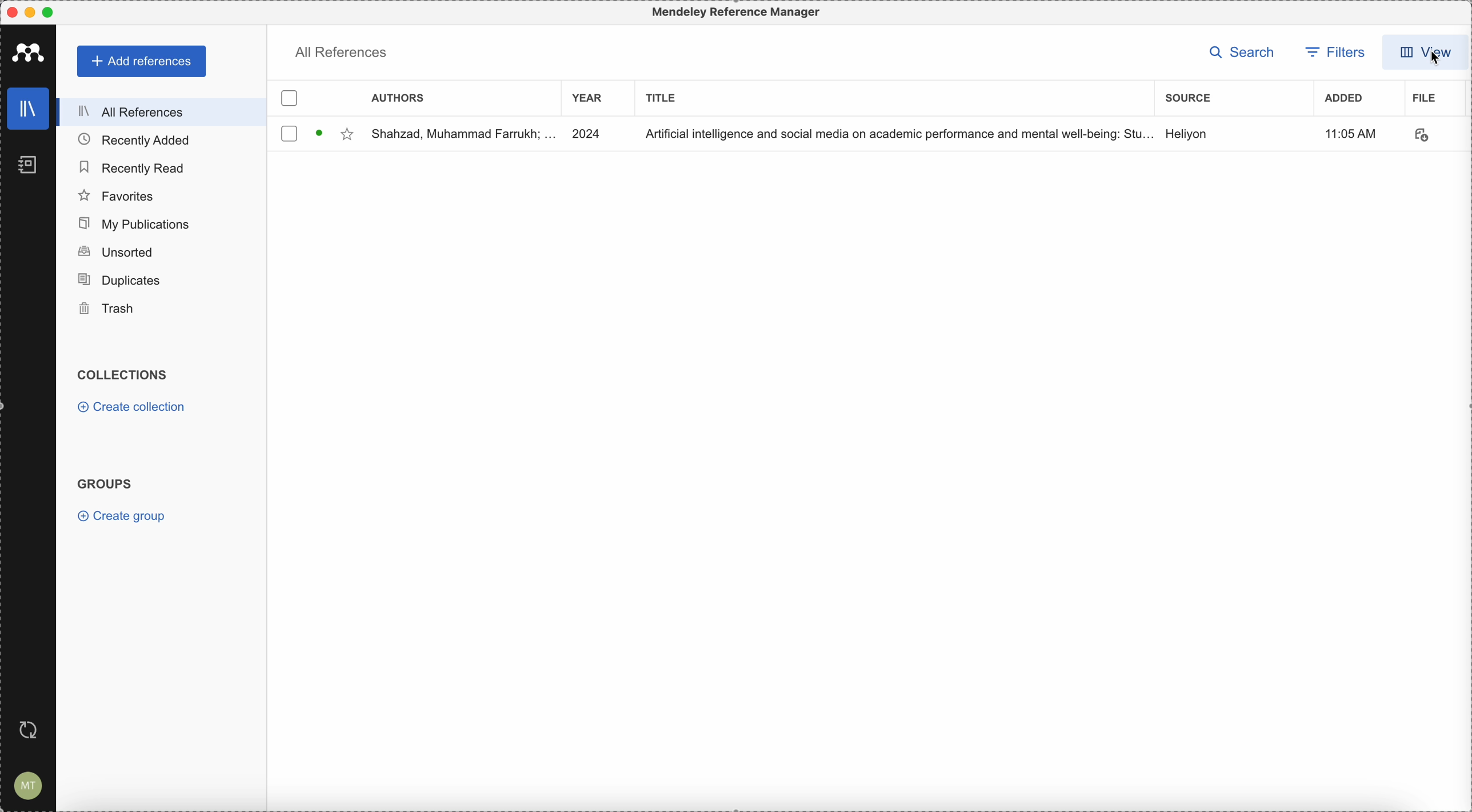 This screenshot has height=812, width=1472. Describe the element at coordinates (343, 51) in the screenshot. I see `all references` at that location.